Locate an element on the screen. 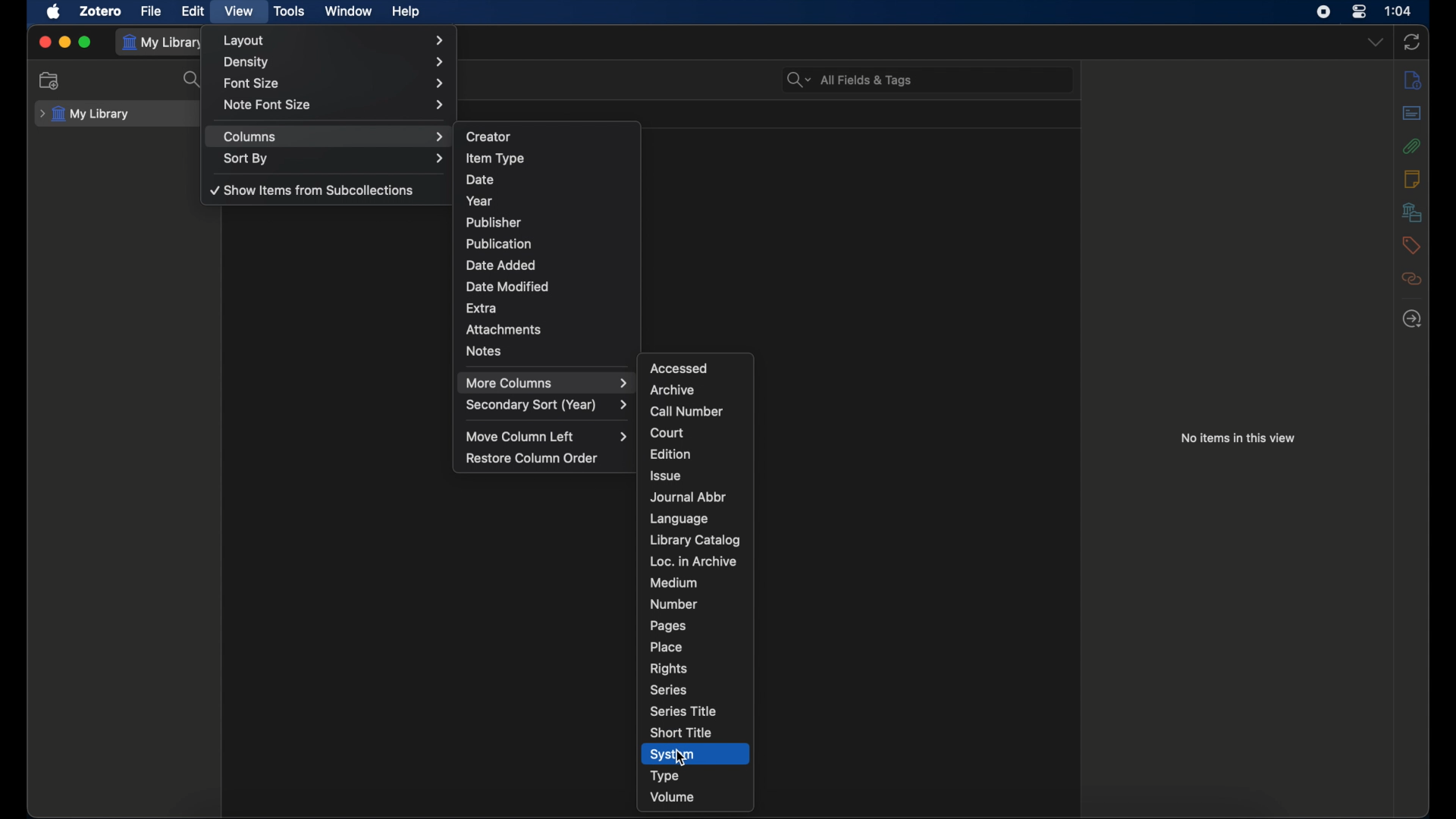 Image resolution: width=1456 pixels, height=819 pixels. zotero is located at coordinates (102, 12).